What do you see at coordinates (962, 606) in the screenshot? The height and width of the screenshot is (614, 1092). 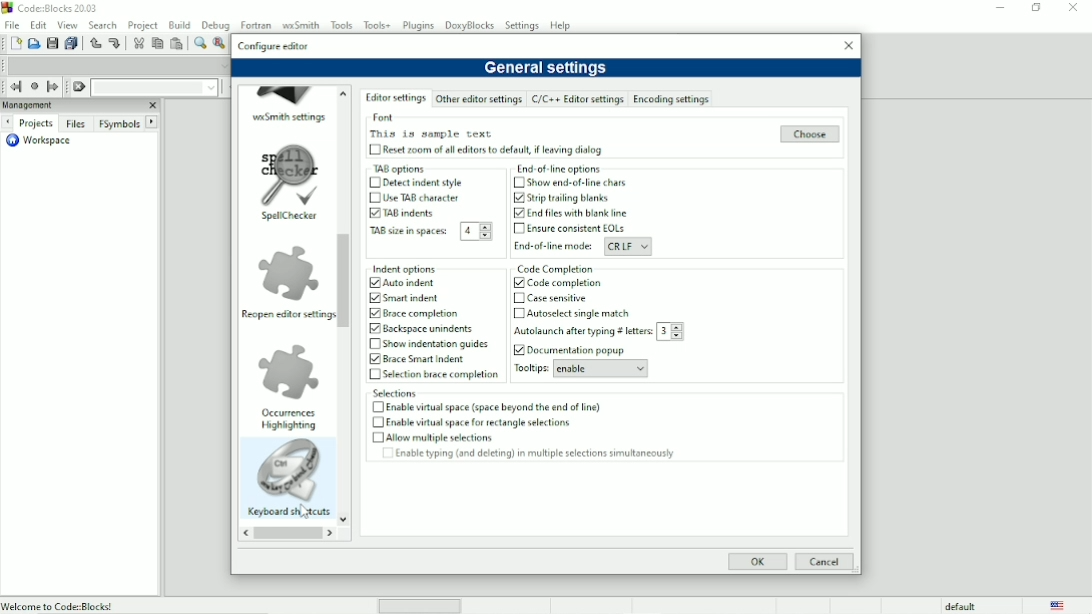 I see `default` at bounding box center [962, 606].